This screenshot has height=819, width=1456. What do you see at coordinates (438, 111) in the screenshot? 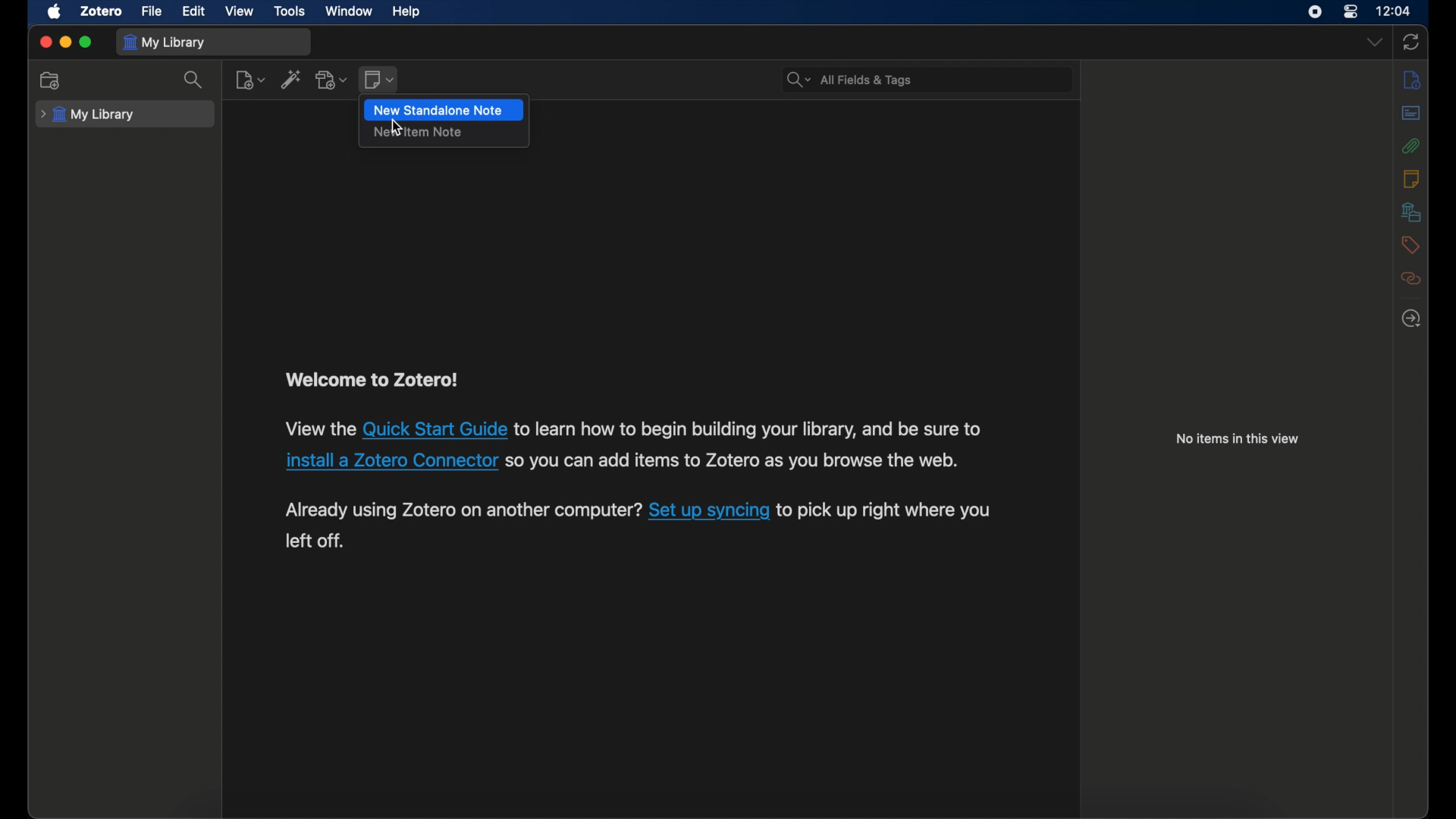
I see `new standalone note` at bounding box center [438, 111].